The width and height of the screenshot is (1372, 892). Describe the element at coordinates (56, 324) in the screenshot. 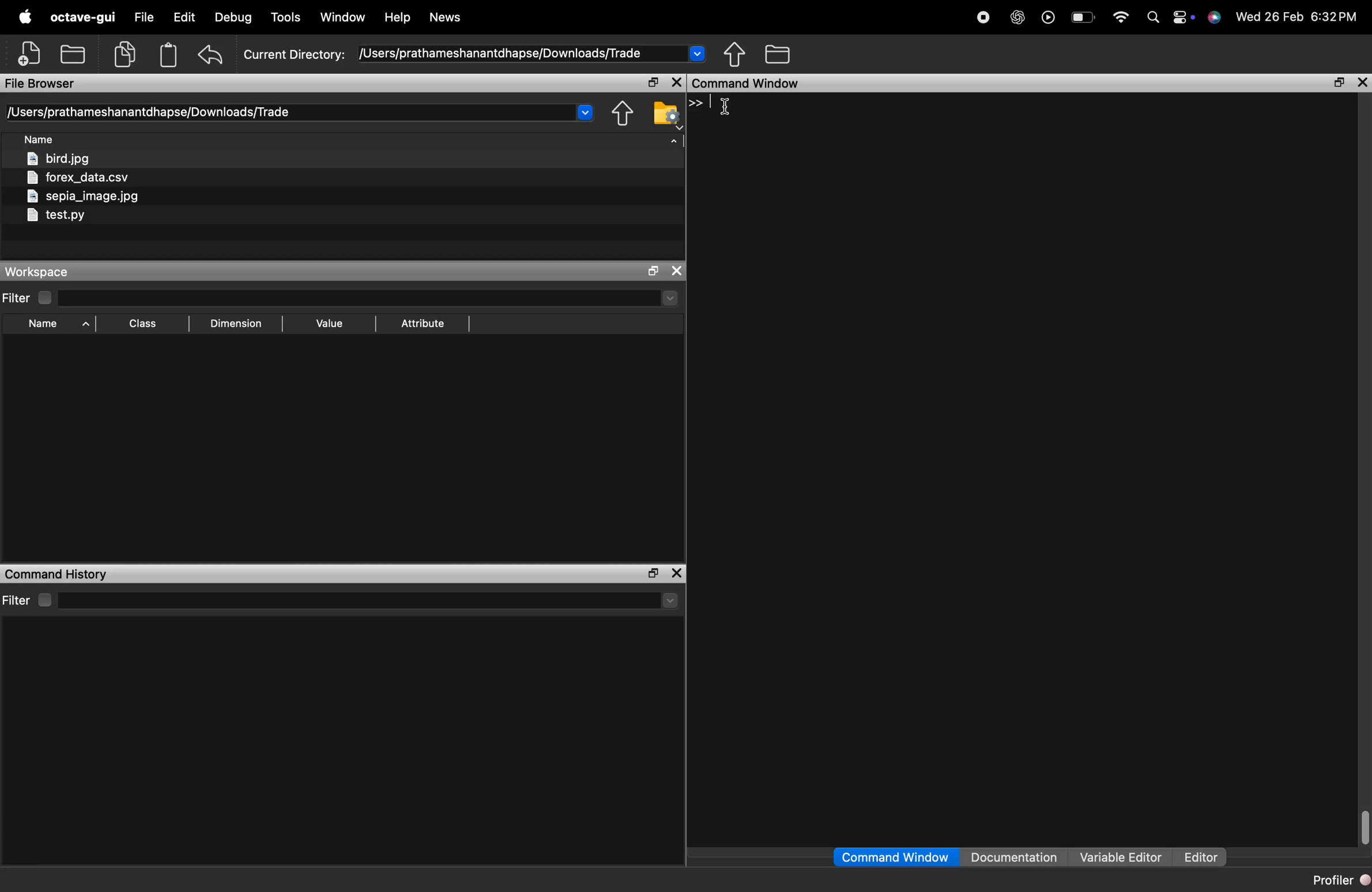

I see `sort by name` at that location.